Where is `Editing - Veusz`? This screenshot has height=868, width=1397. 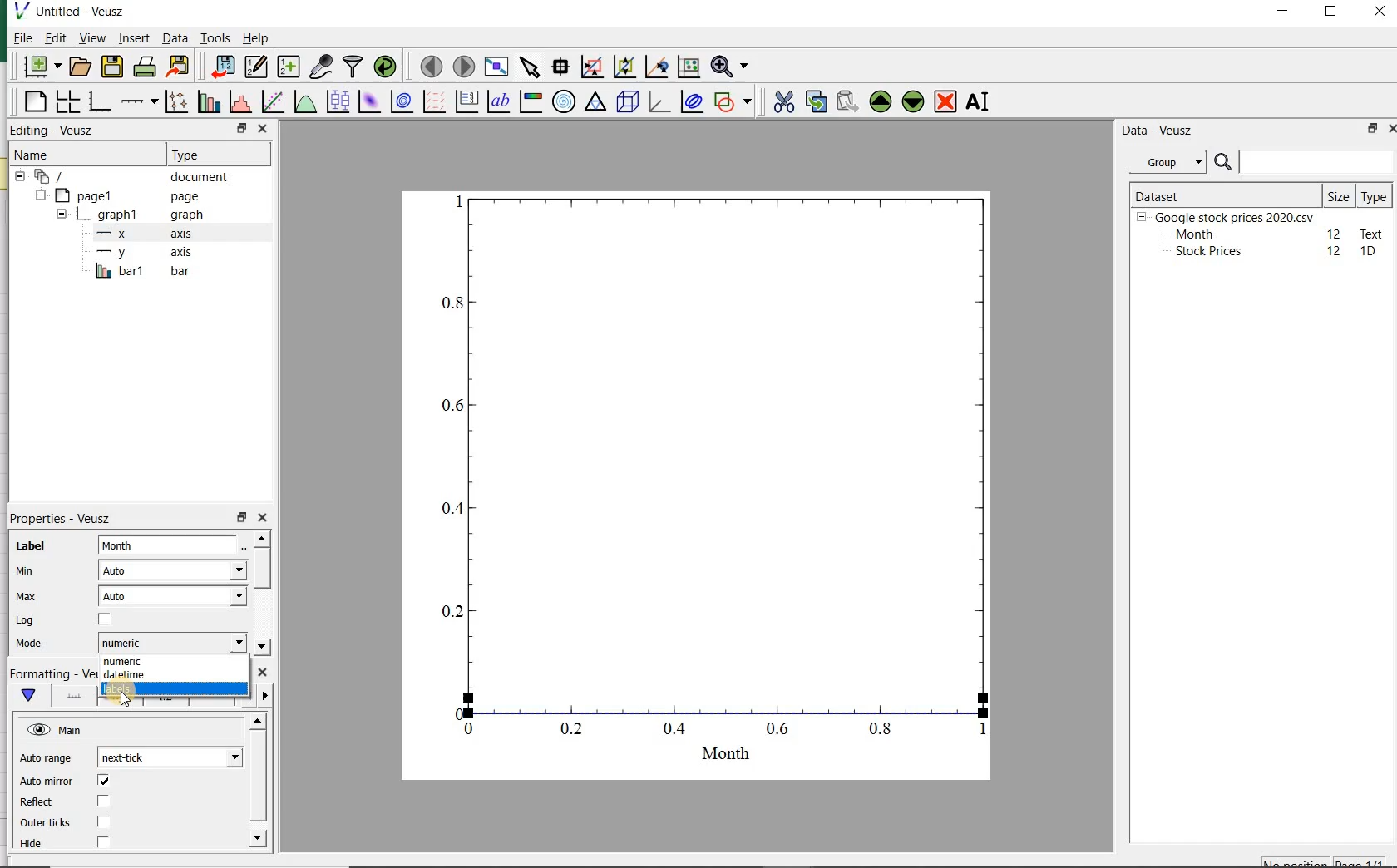
Editing - Veusz is located at coordinates (54, 131).